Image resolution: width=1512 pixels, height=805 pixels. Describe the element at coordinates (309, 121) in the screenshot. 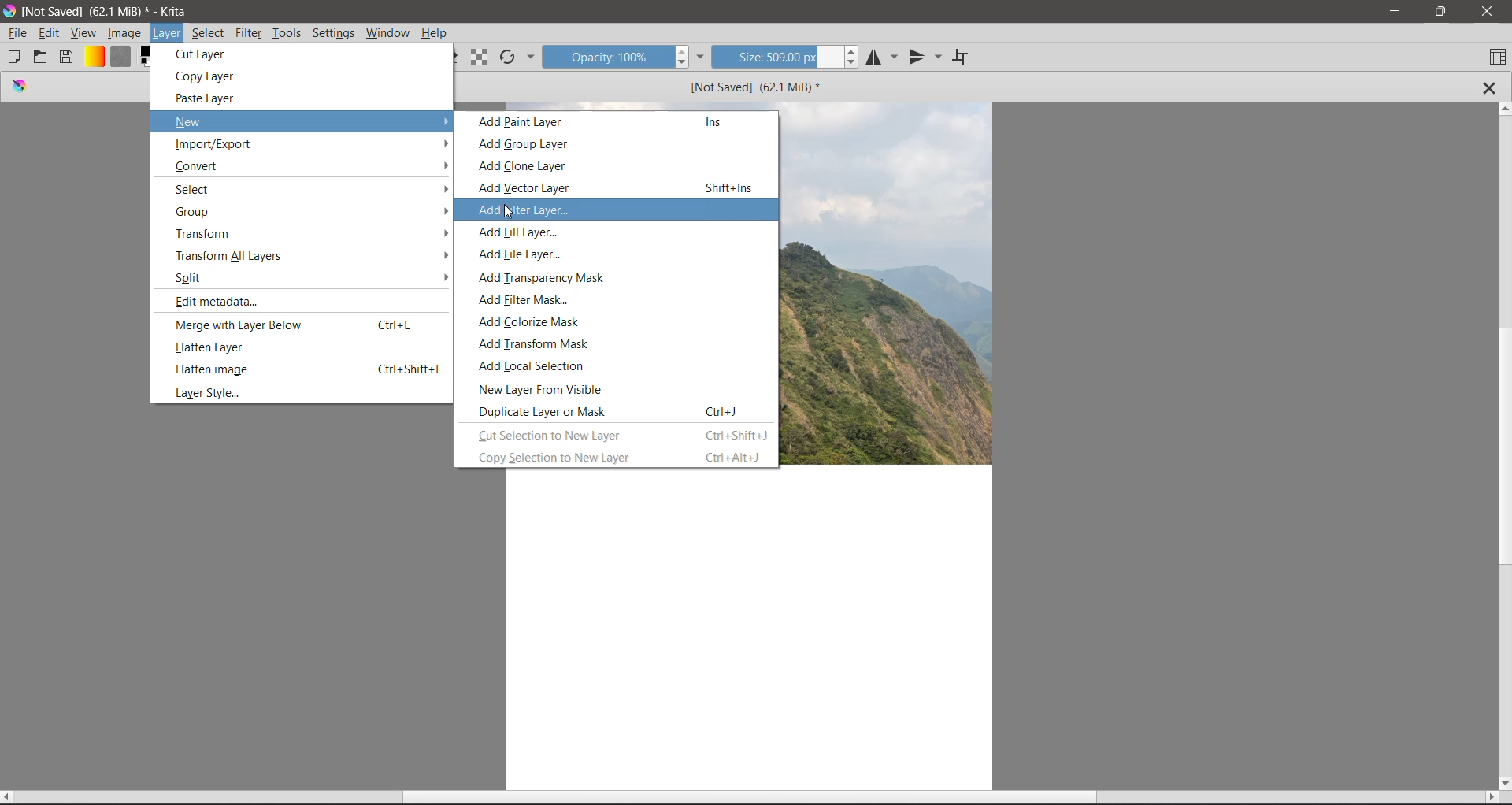

I see `New` at that location.